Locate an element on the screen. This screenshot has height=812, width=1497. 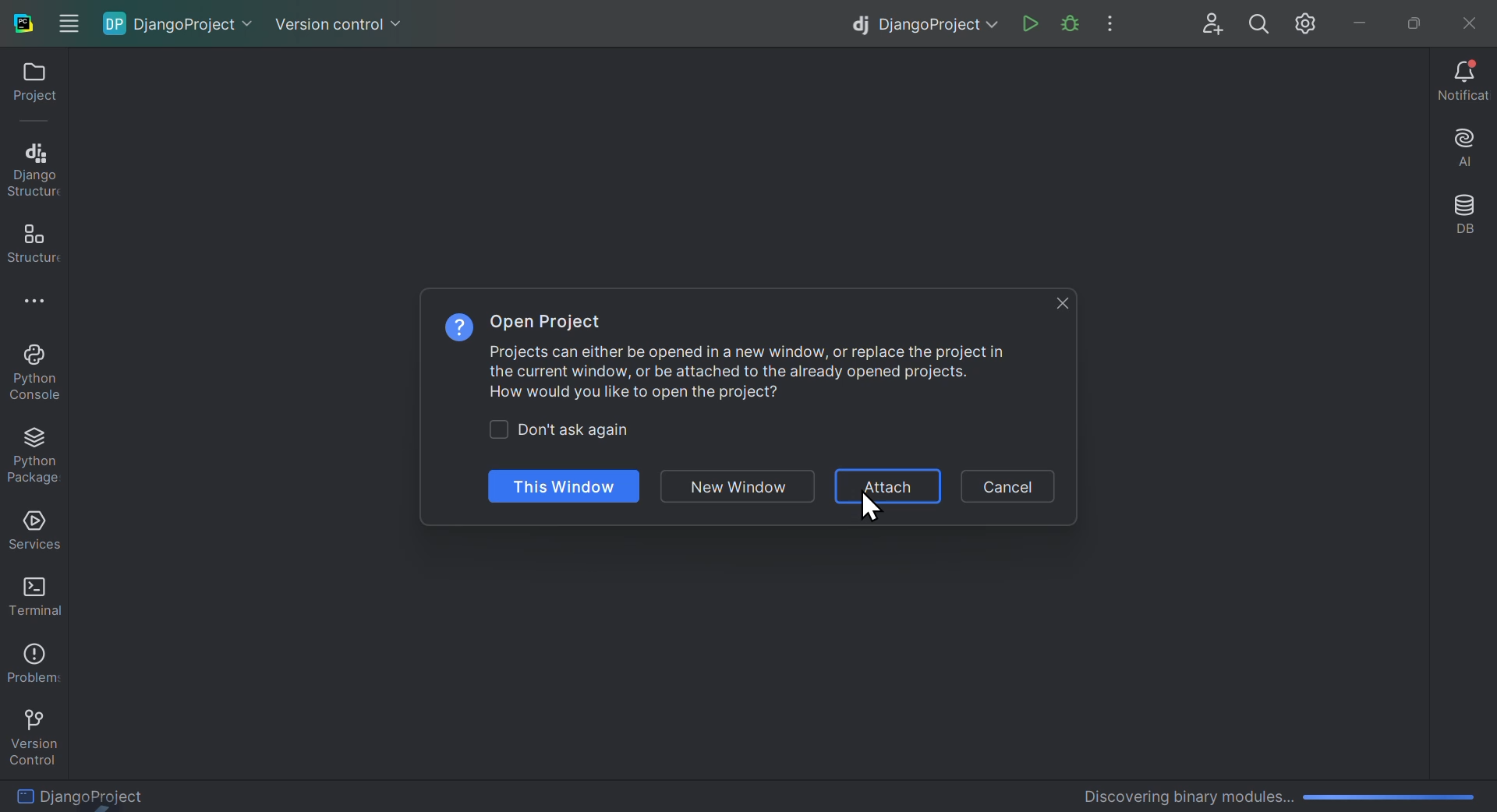
Version control is located at coordinates (340, 19).